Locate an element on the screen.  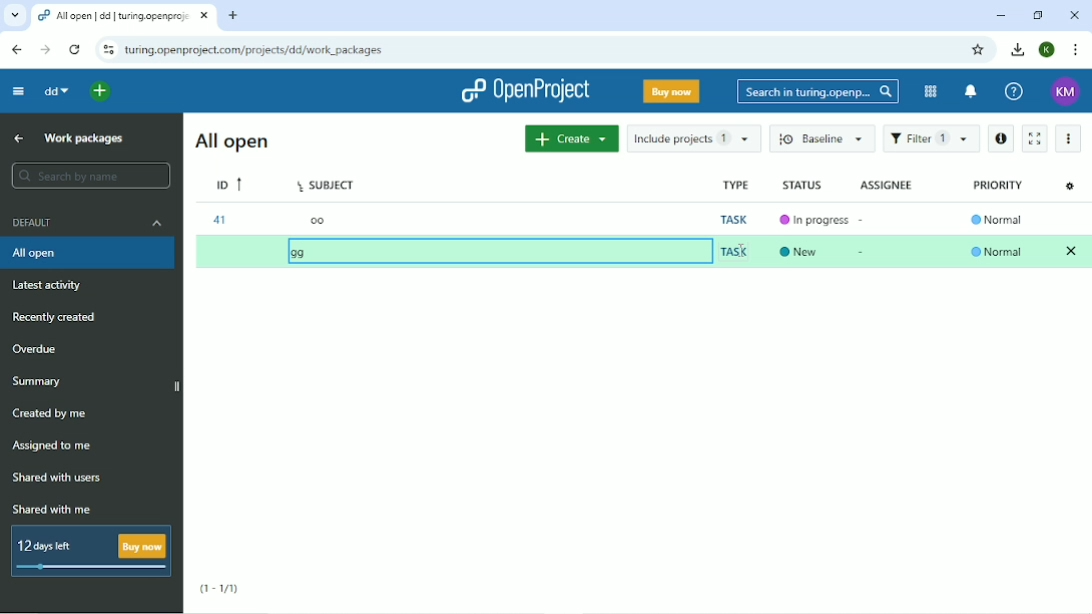
Modules is located at coordinates (929, 90).